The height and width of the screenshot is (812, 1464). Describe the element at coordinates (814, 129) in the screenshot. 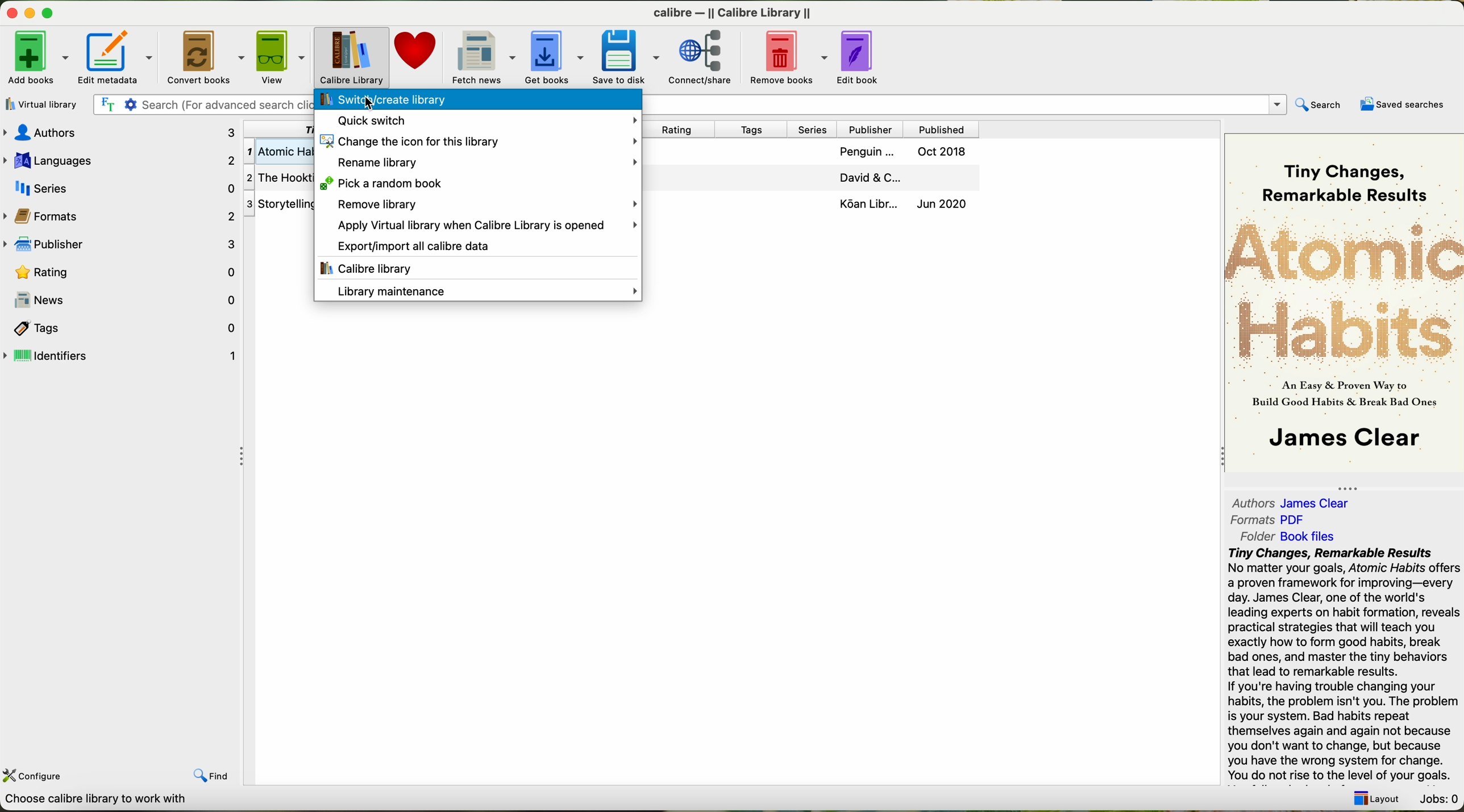

I see `series` at that location.